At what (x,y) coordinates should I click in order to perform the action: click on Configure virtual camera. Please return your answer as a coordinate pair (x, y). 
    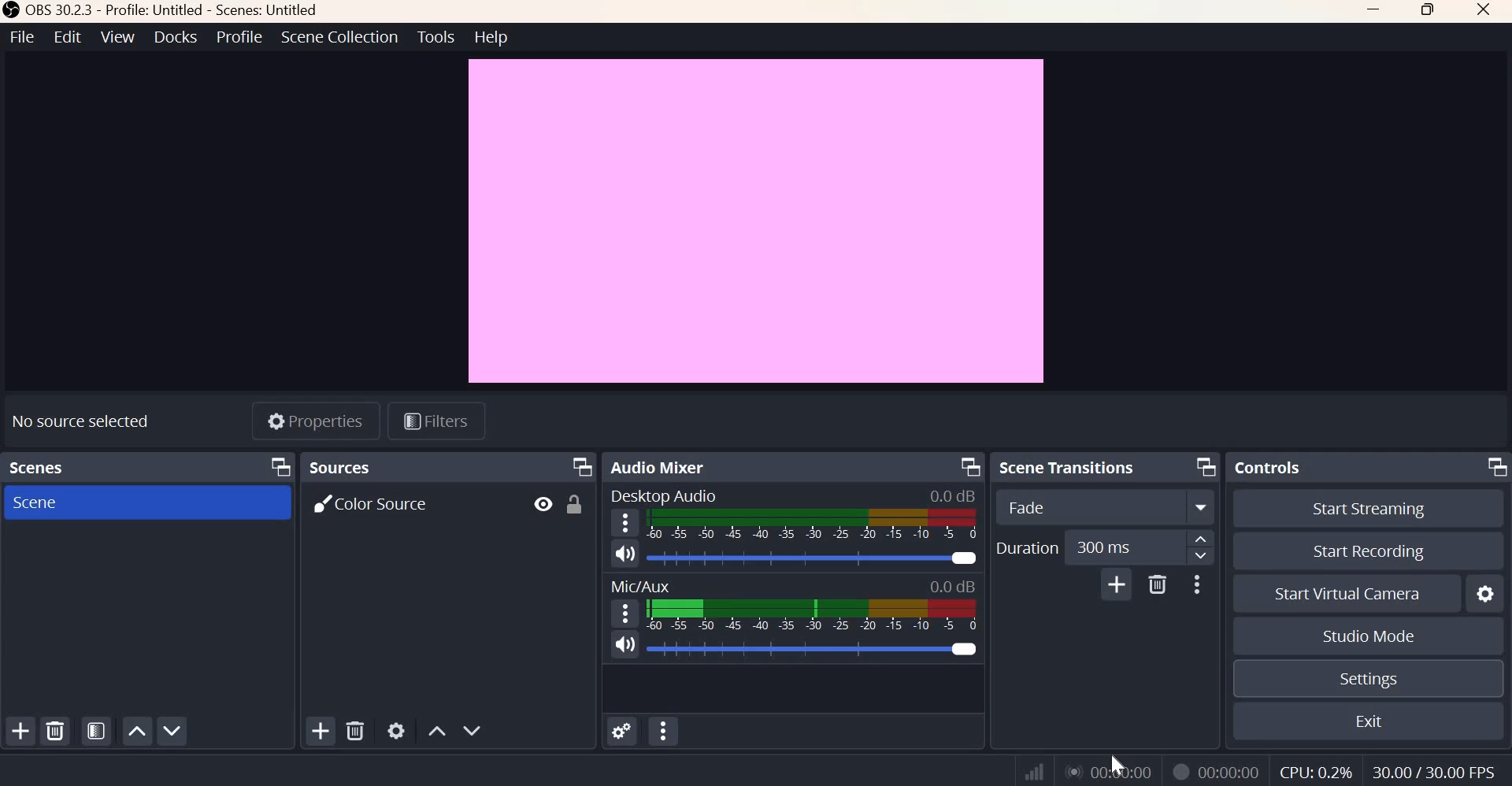
    Looking at the image, I should click on (1486, 591).